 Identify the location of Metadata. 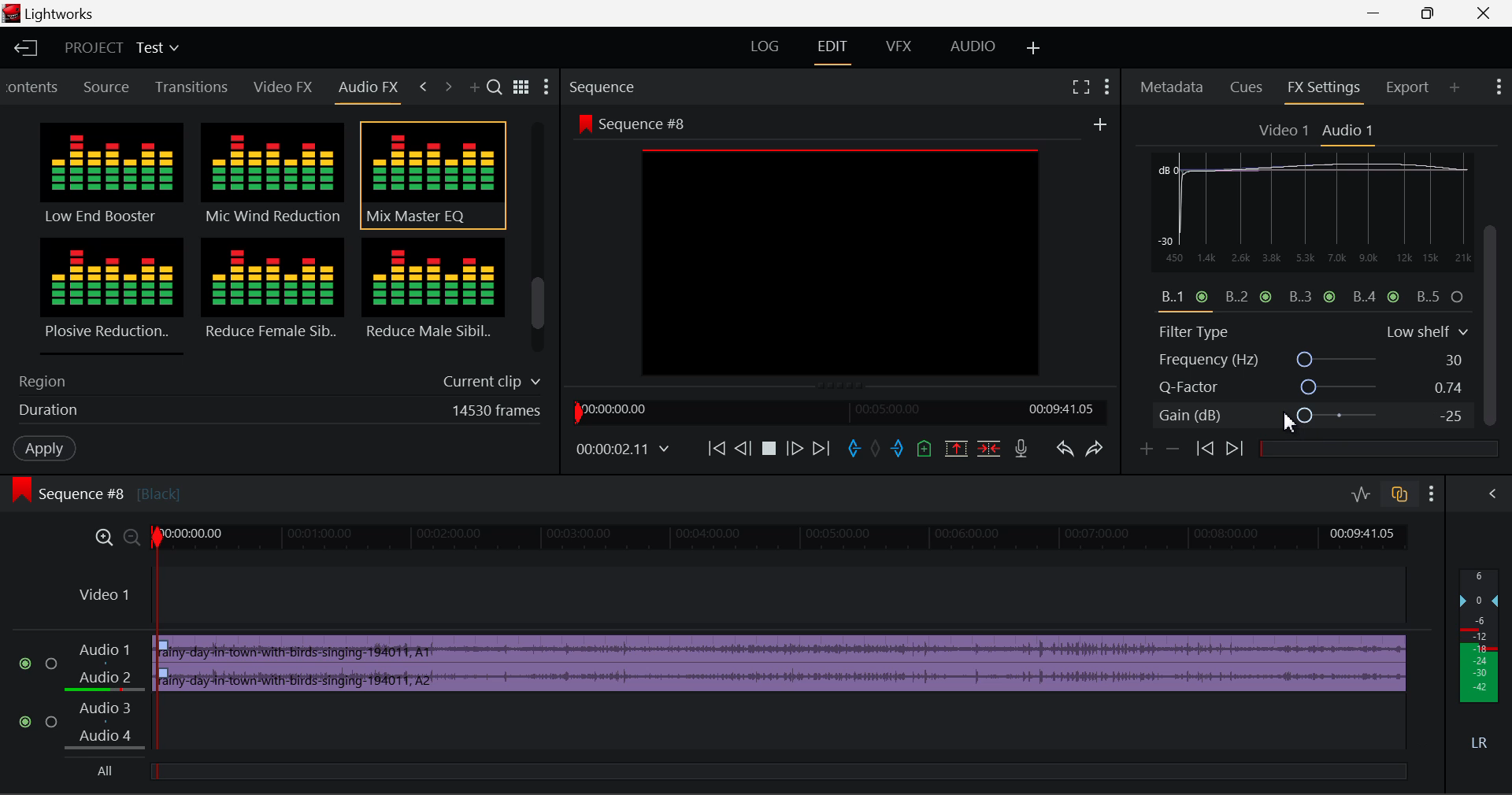
(1173, 89).